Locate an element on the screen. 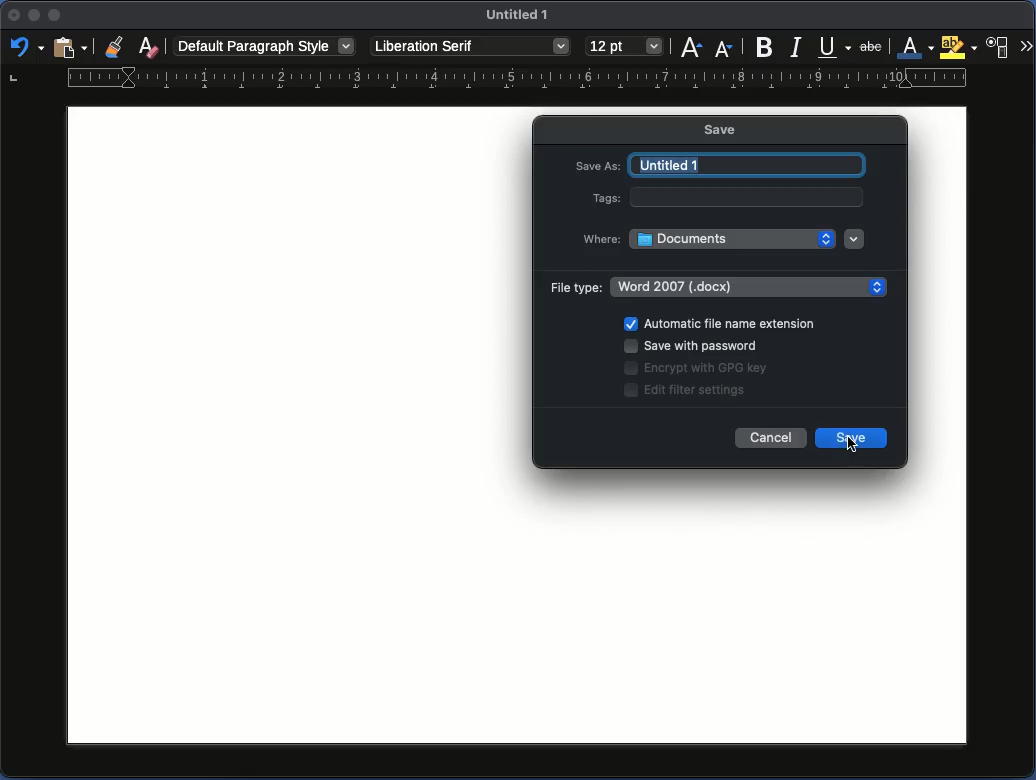 The height and width of the screenshot is (780, 1036). Character is located at coordinates (999, 47).